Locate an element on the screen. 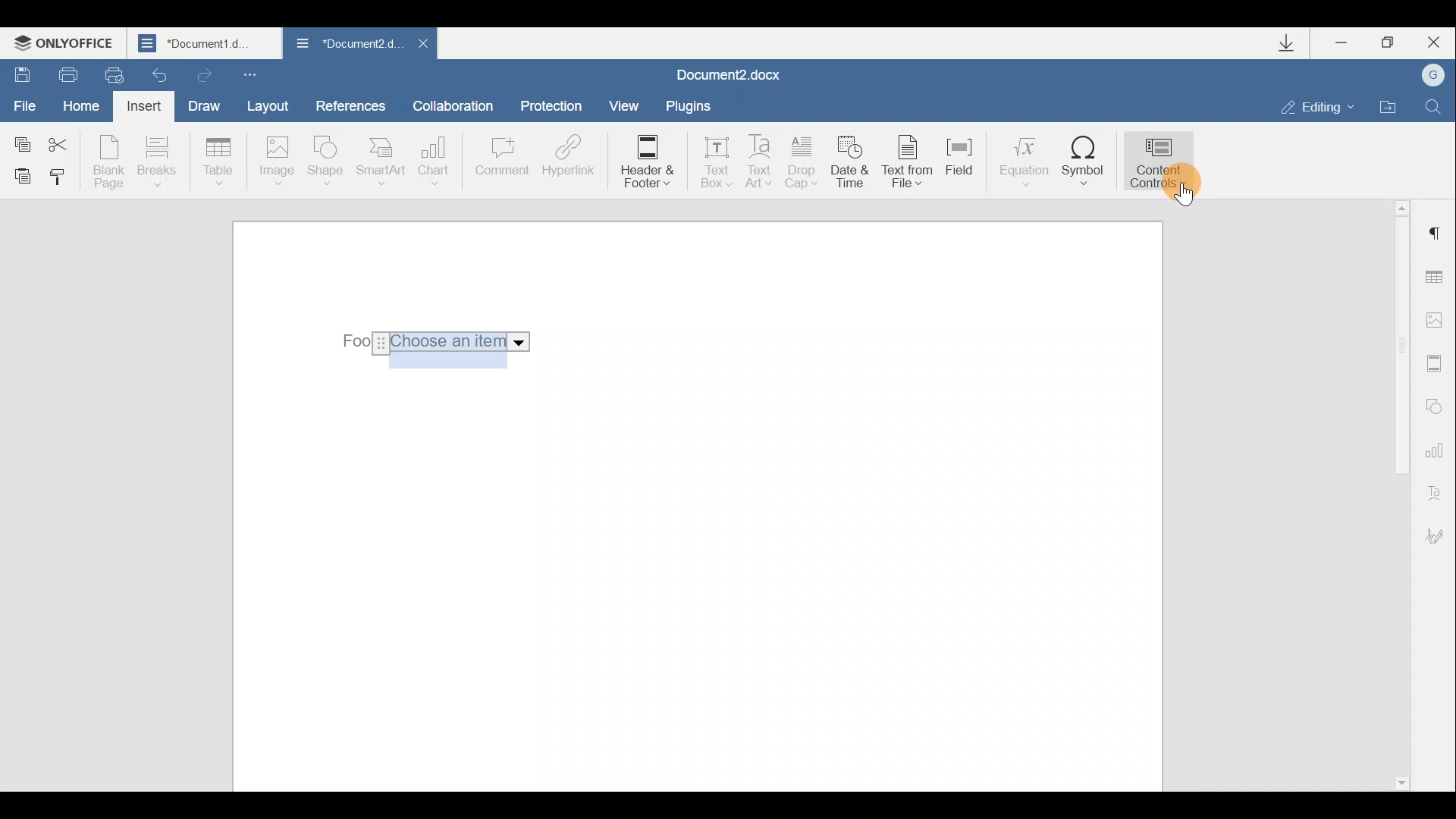 This screenshot has height=819, width=1456. Chart settings is located at coordinates (1437, 448).